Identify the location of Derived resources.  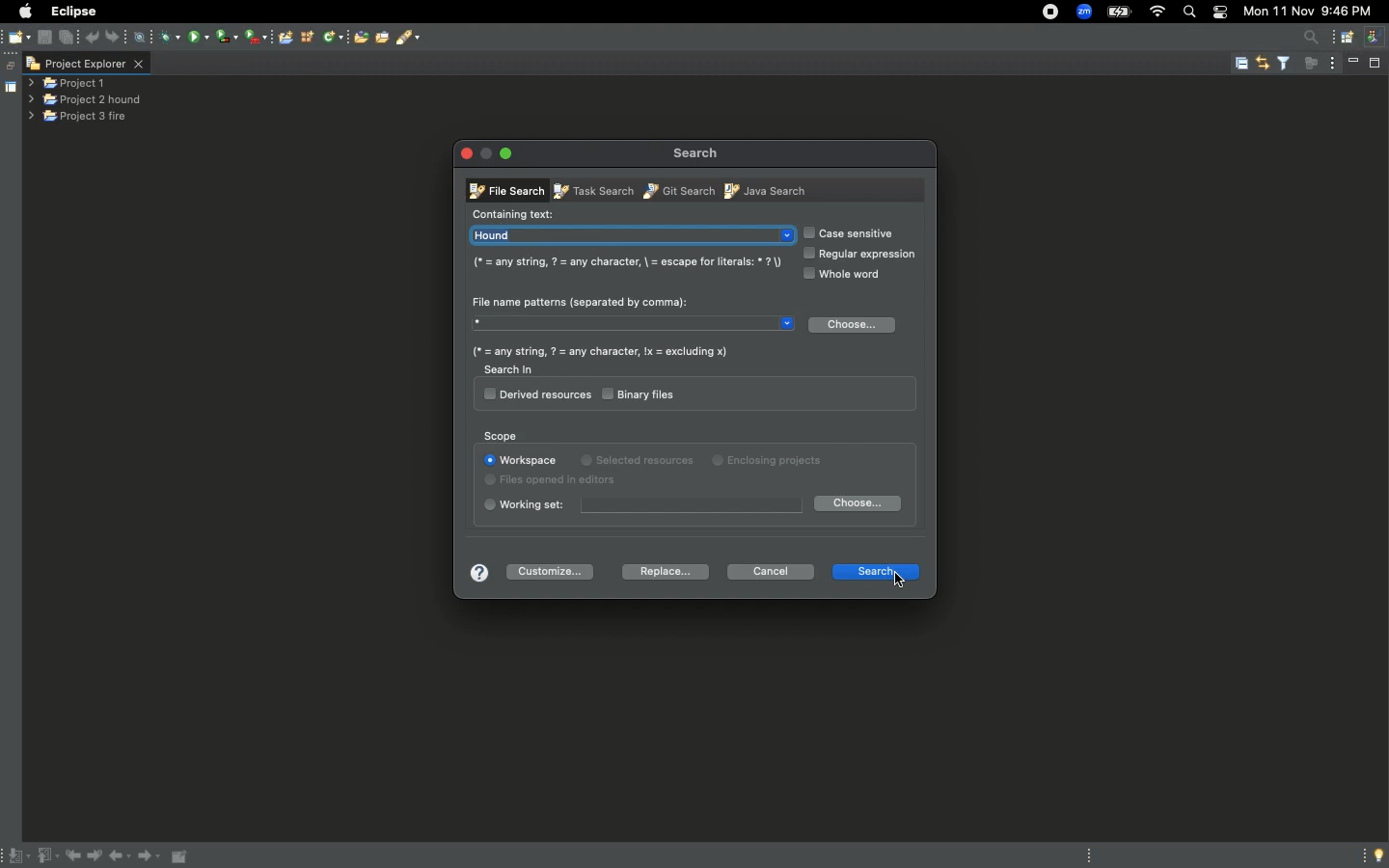
(536, 395).